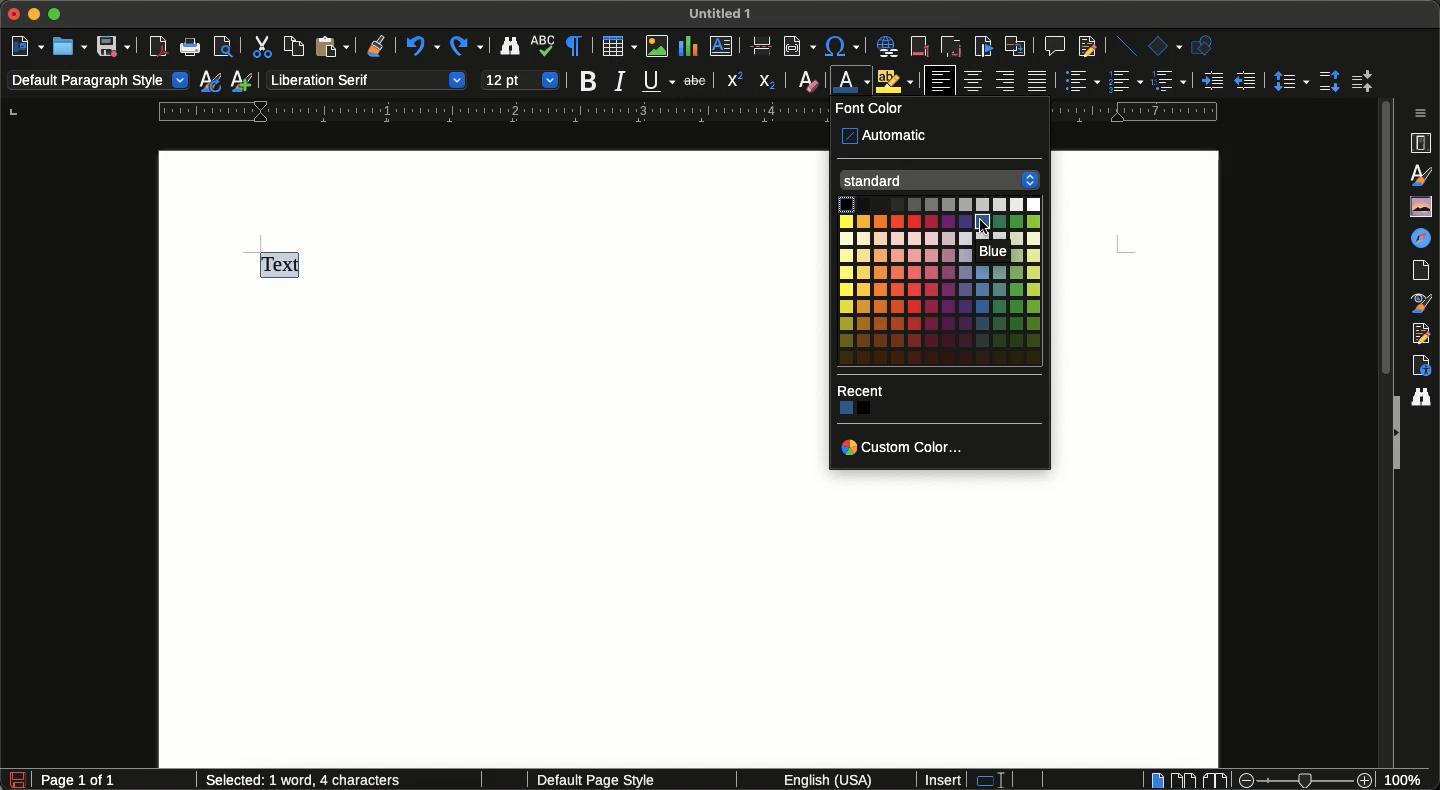 The image size is (1440, 790). I want to click on Update selected style, so click(211, 81).